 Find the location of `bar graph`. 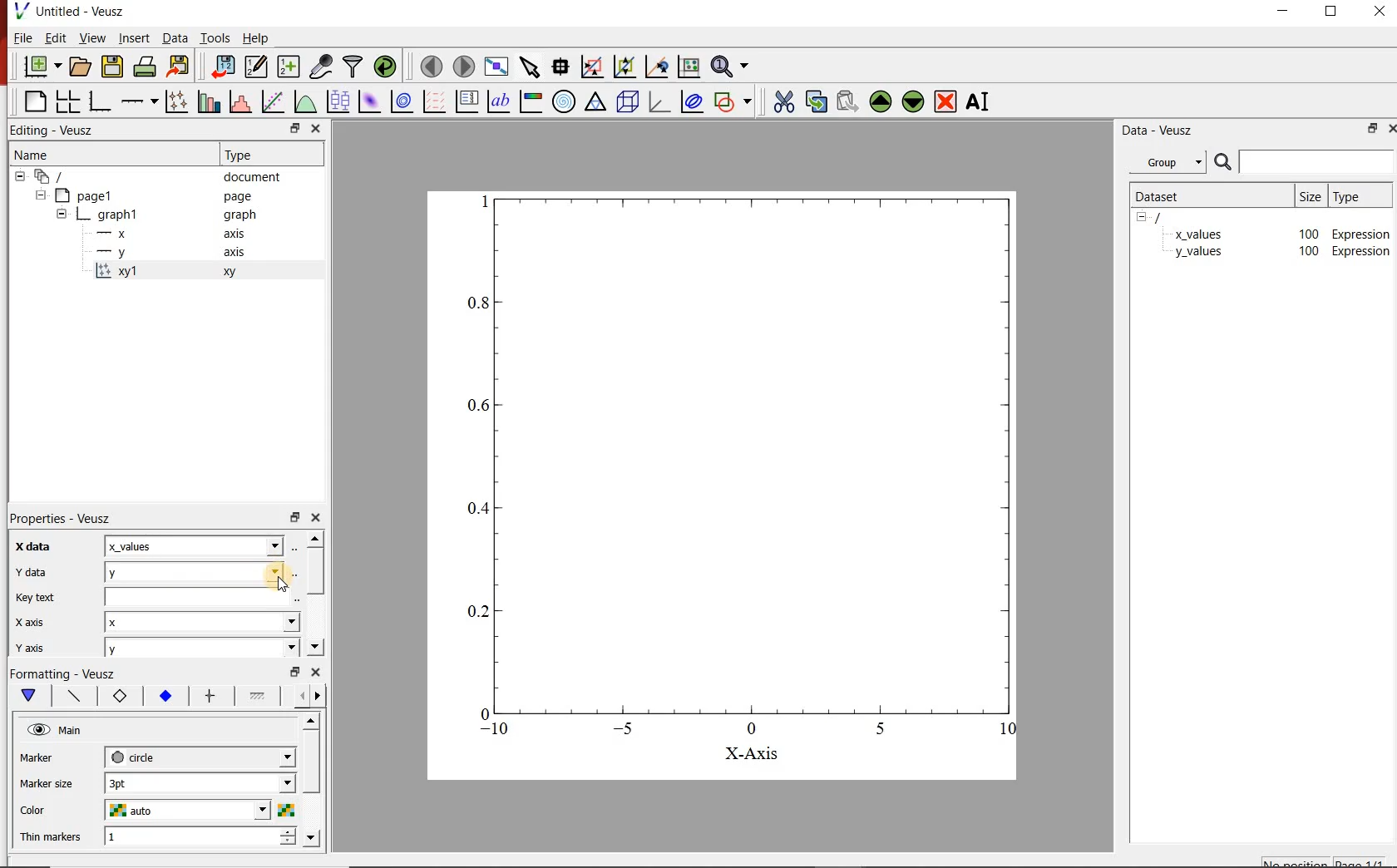

bar graph is located at coordinates (100, 103).